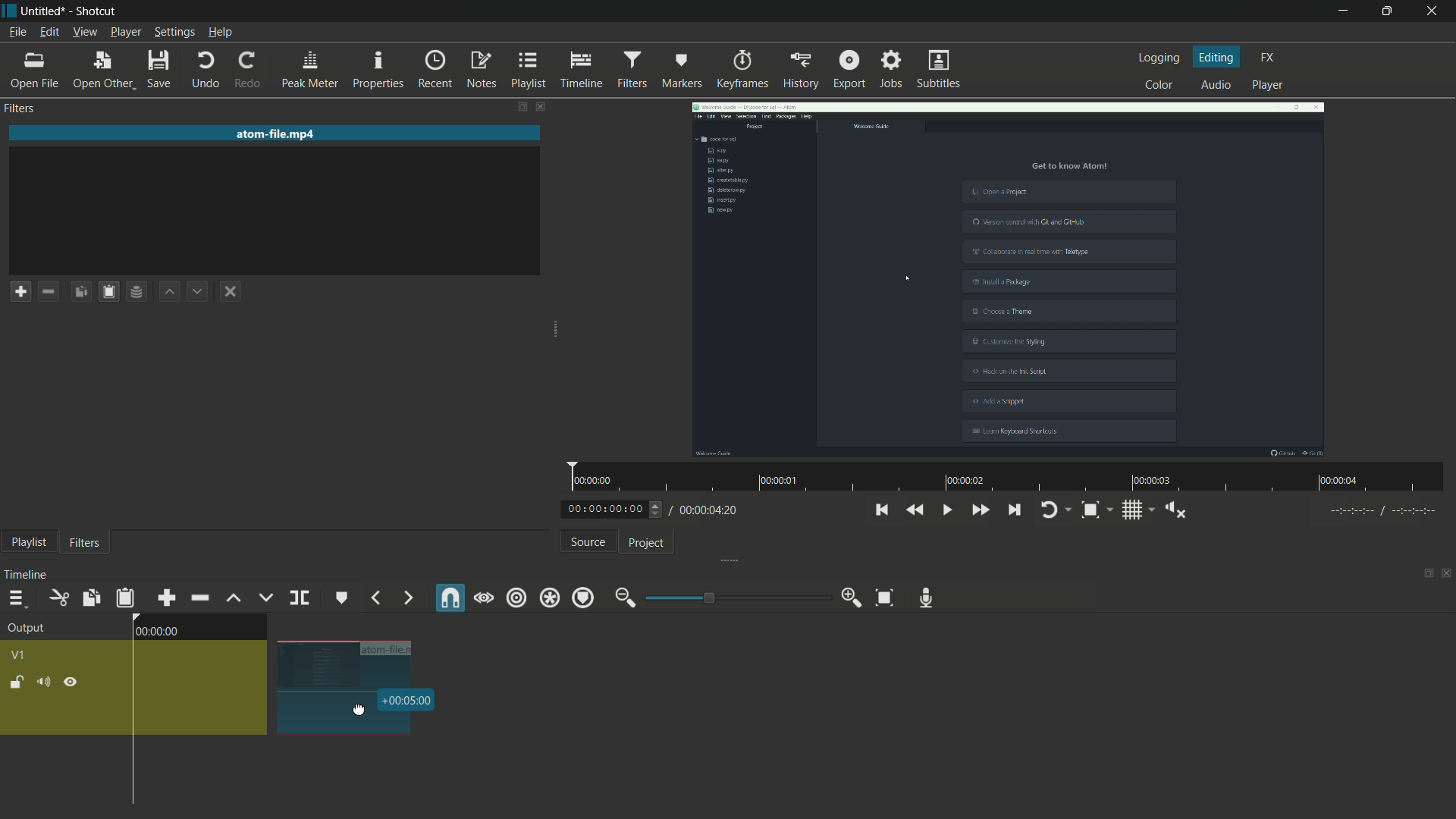 This screenshot has width=1456, height=819. What do you see at coordinates (1131, 509) in the screenshot?
I see `toggle grid` at bounding box center [1131, 509].